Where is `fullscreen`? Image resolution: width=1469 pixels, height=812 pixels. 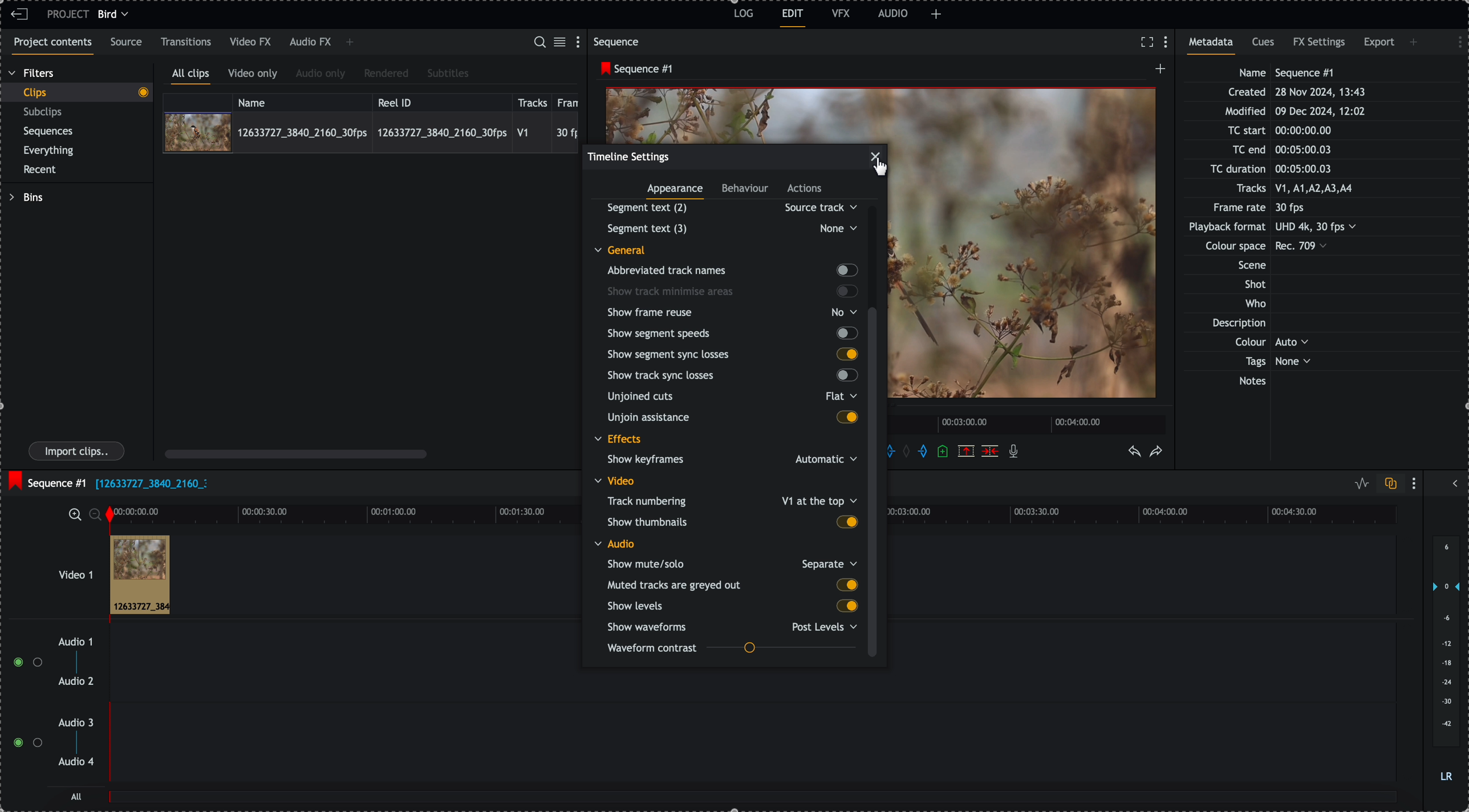
fullscreen is located at coordinates (1147, 42).